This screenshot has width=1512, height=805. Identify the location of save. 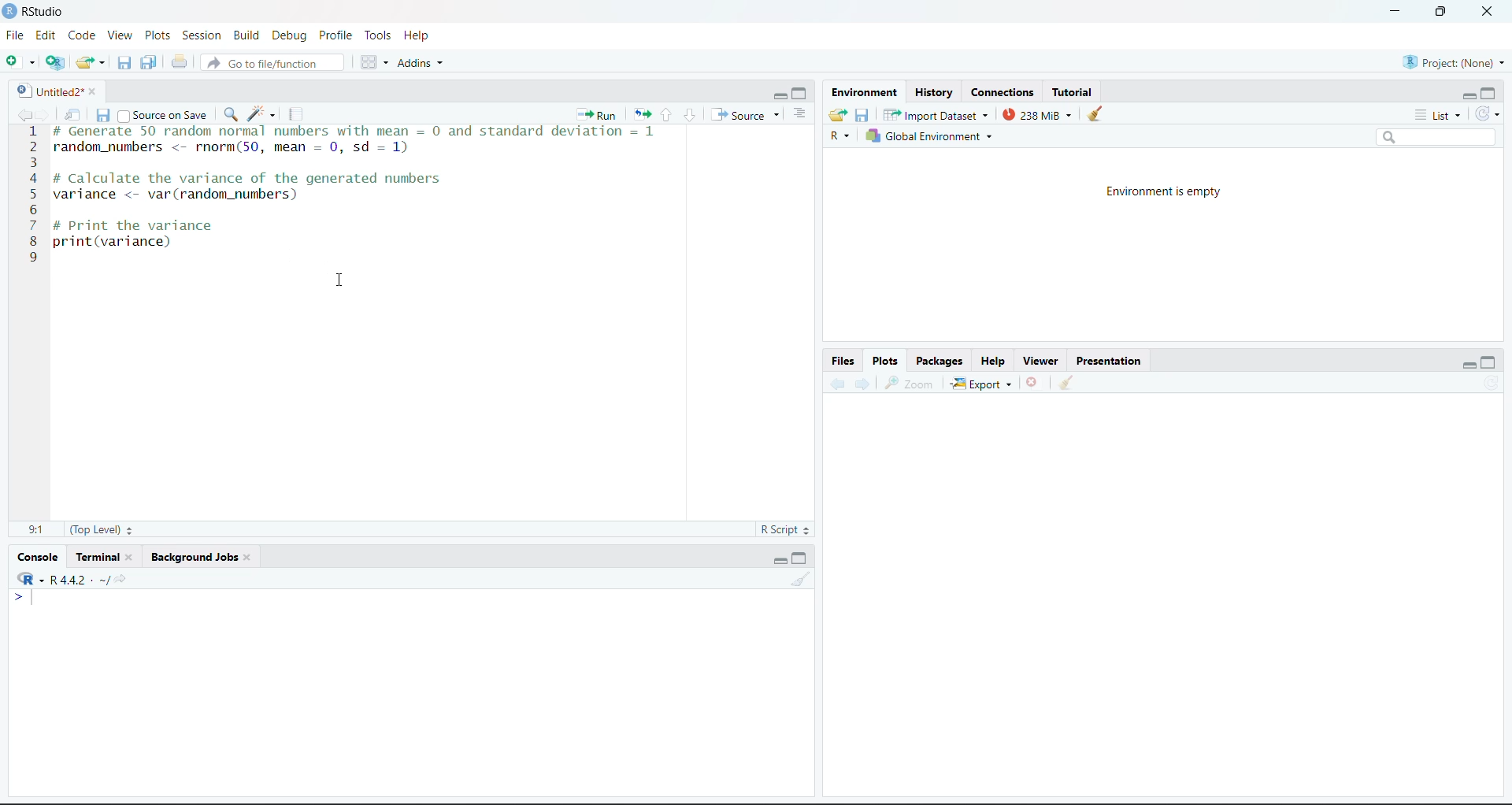
(103, 115).